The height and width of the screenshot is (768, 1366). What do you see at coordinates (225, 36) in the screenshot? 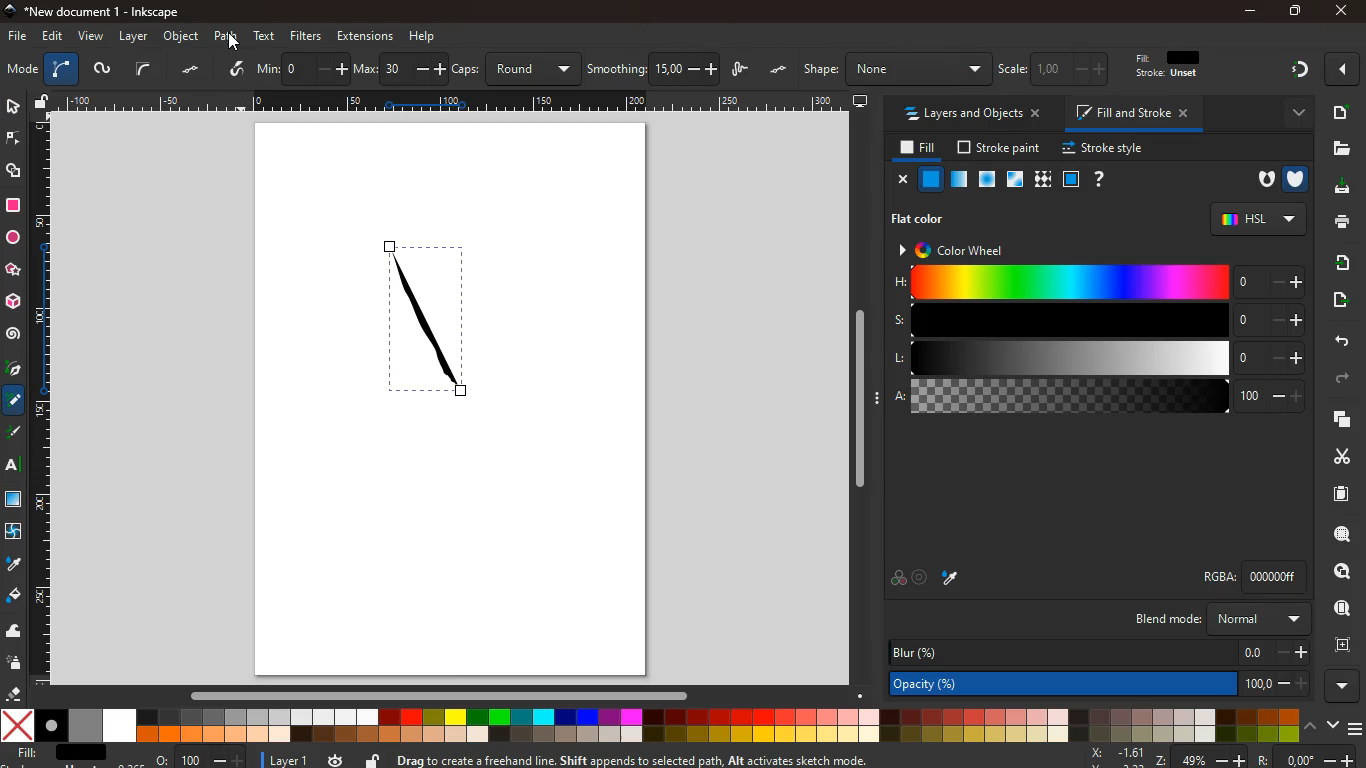
I see `path` at bounding box center [225, 36].